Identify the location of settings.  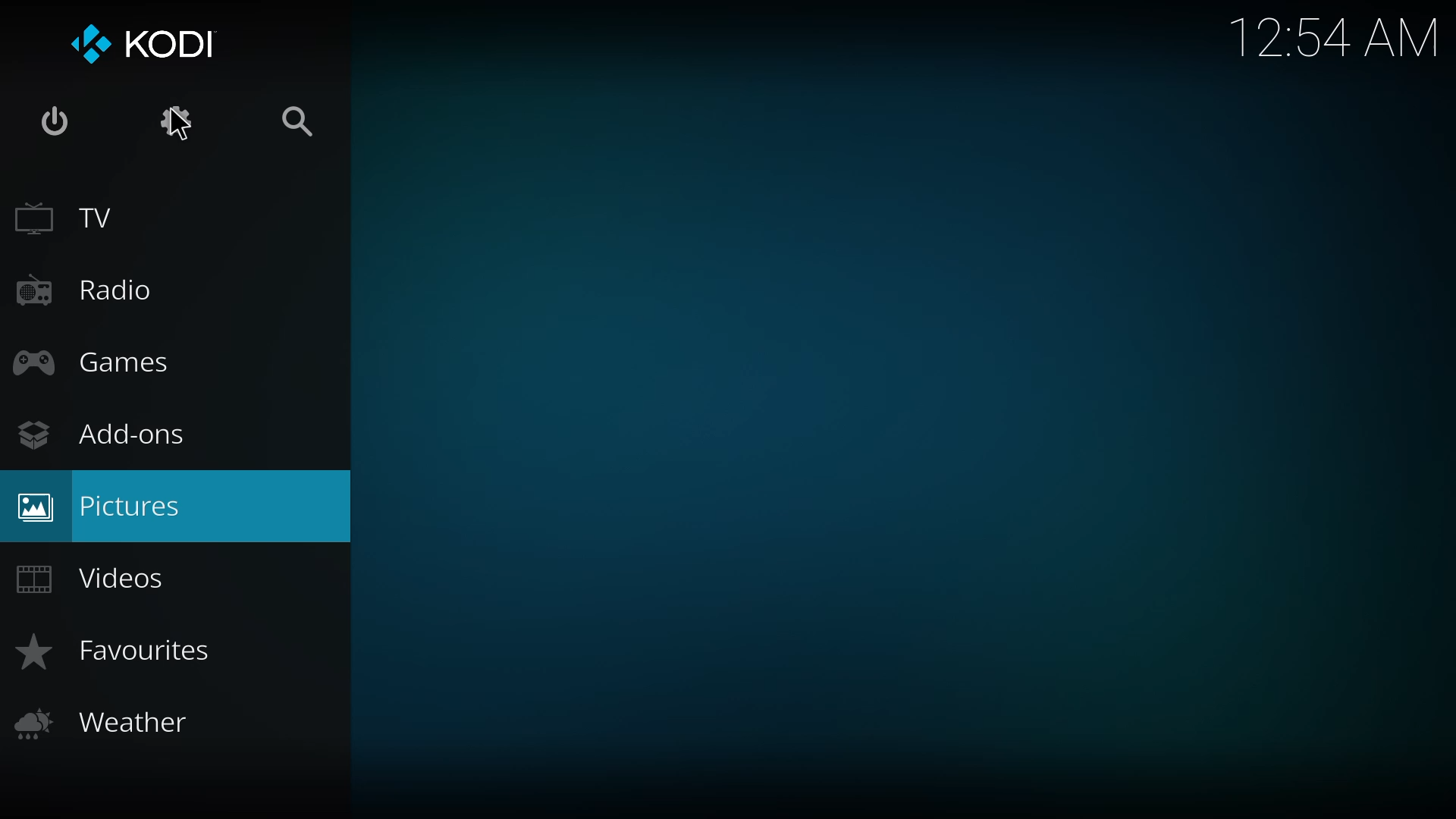
(182, 123).